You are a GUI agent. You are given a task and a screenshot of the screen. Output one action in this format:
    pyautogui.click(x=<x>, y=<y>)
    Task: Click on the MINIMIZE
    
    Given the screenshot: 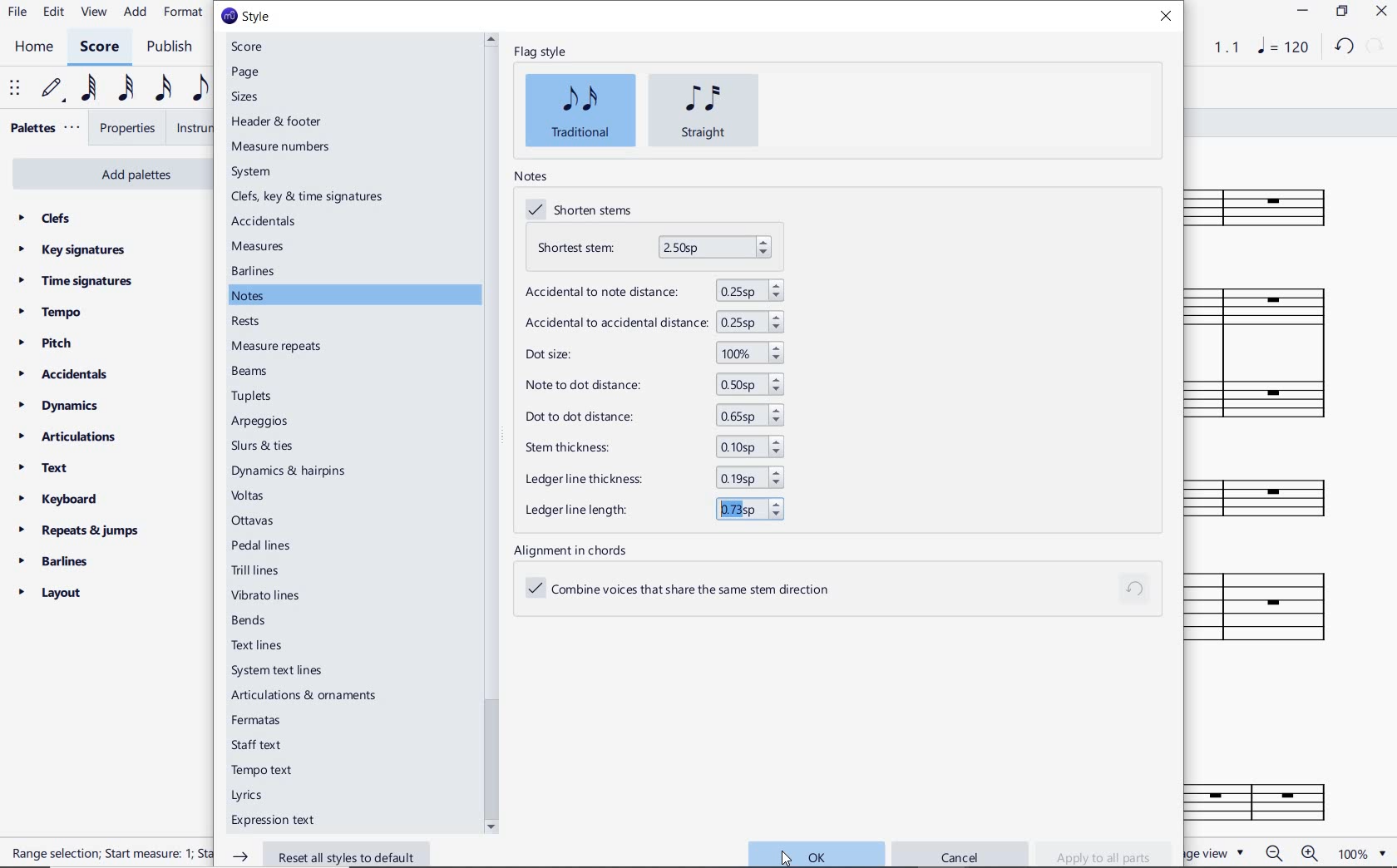 What is the action you would take?
    pyautogui.click(x=1302, y=13)
    